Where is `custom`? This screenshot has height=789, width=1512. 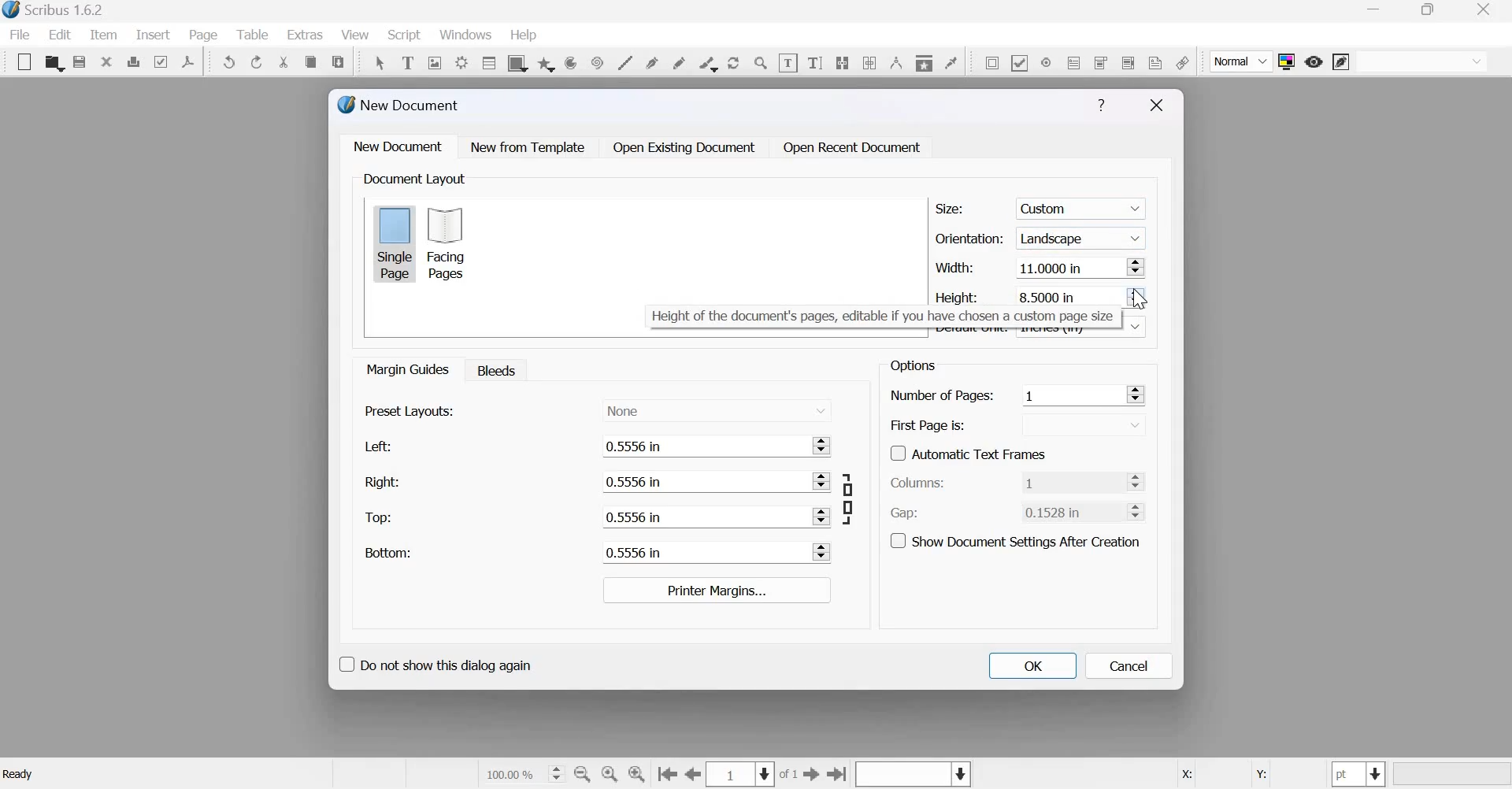
custom is located at coordinates (1084, 206).